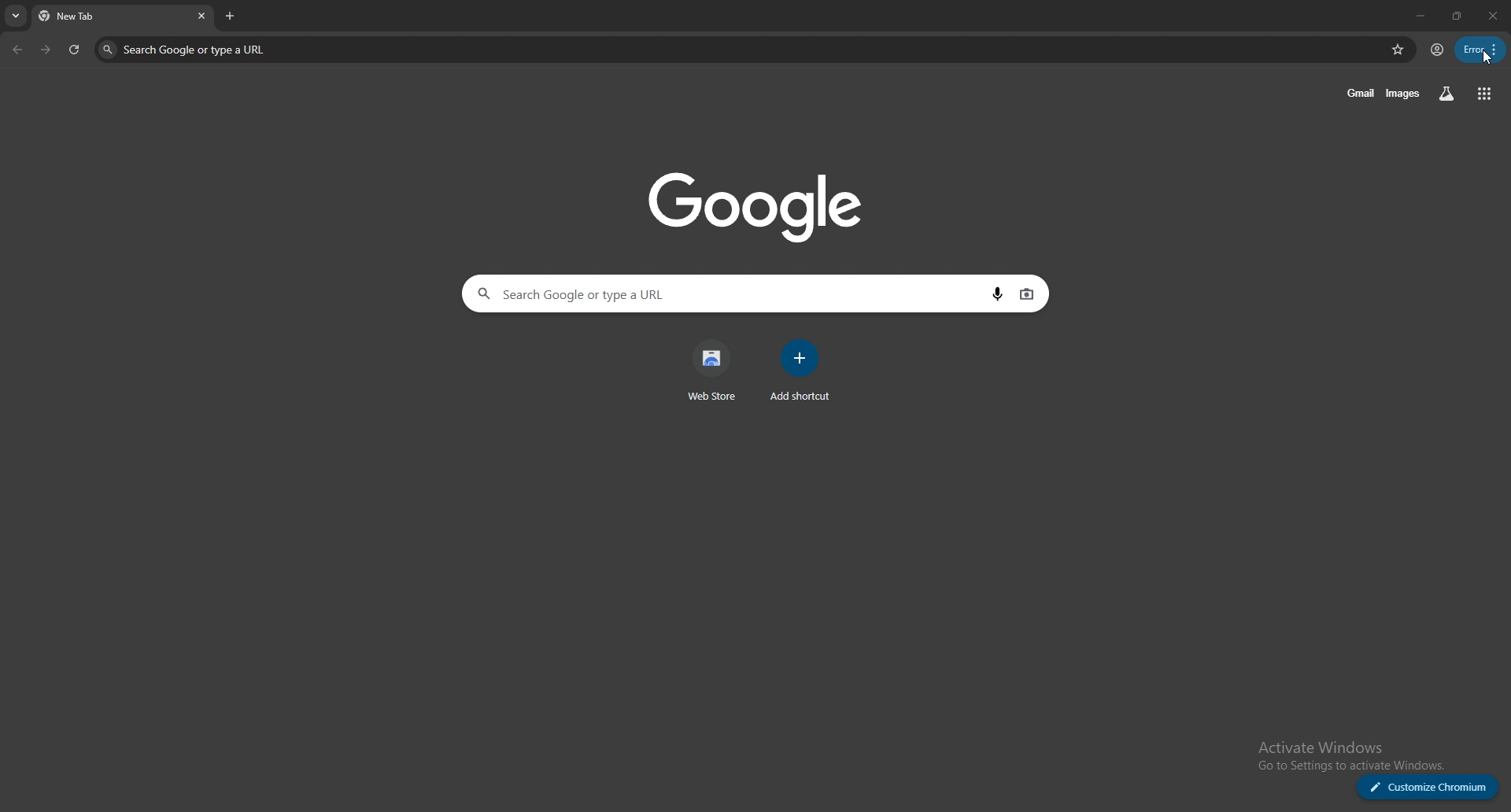 The width and height of the screenshot is (1511, 812). What do you see at coordinates (46, 50) in the screenshot?
I see `forward` at bounding box center [46, 50].